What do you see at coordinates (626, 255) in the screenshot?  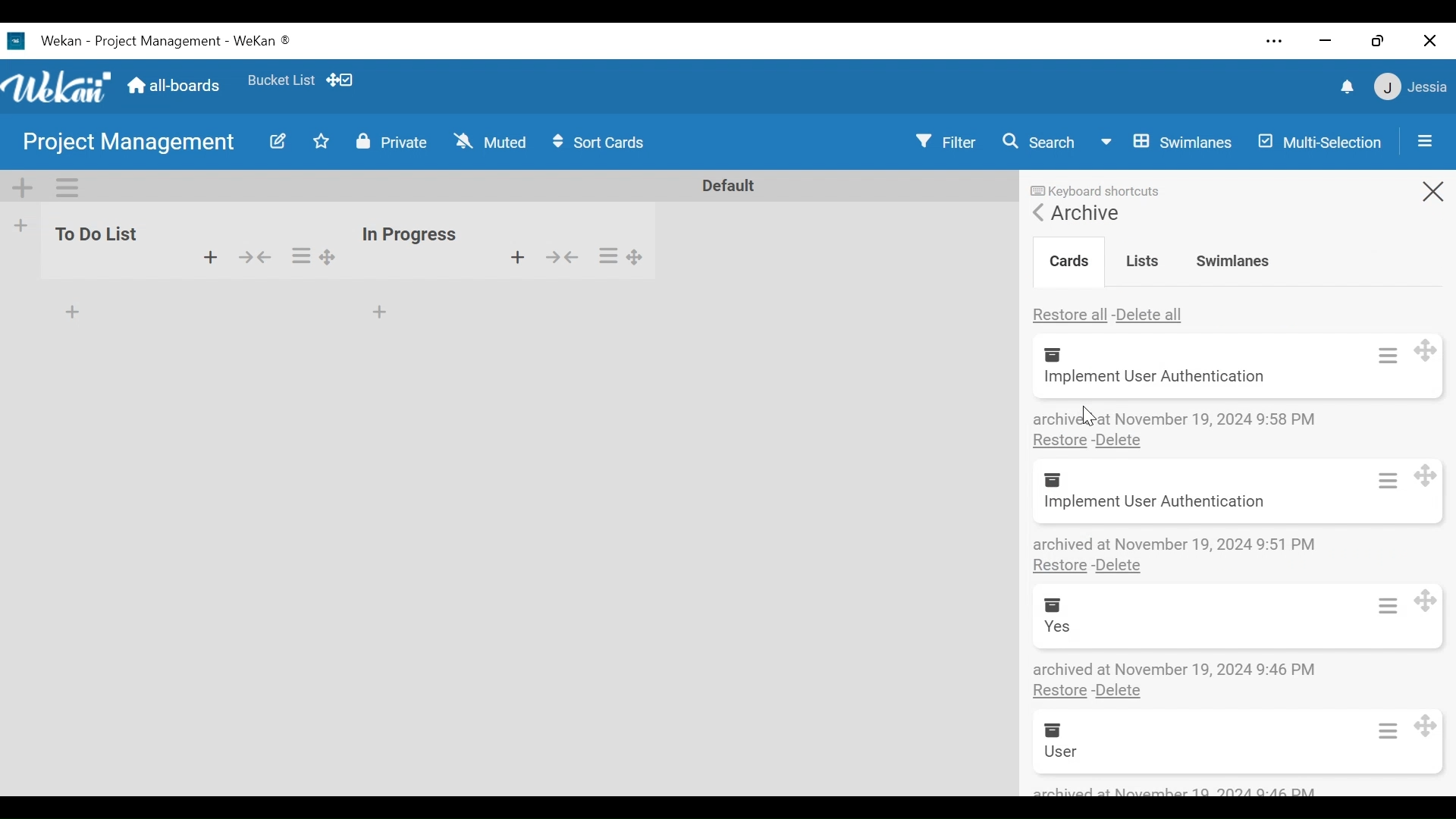 I see `options` at bounding box center [626, 255].